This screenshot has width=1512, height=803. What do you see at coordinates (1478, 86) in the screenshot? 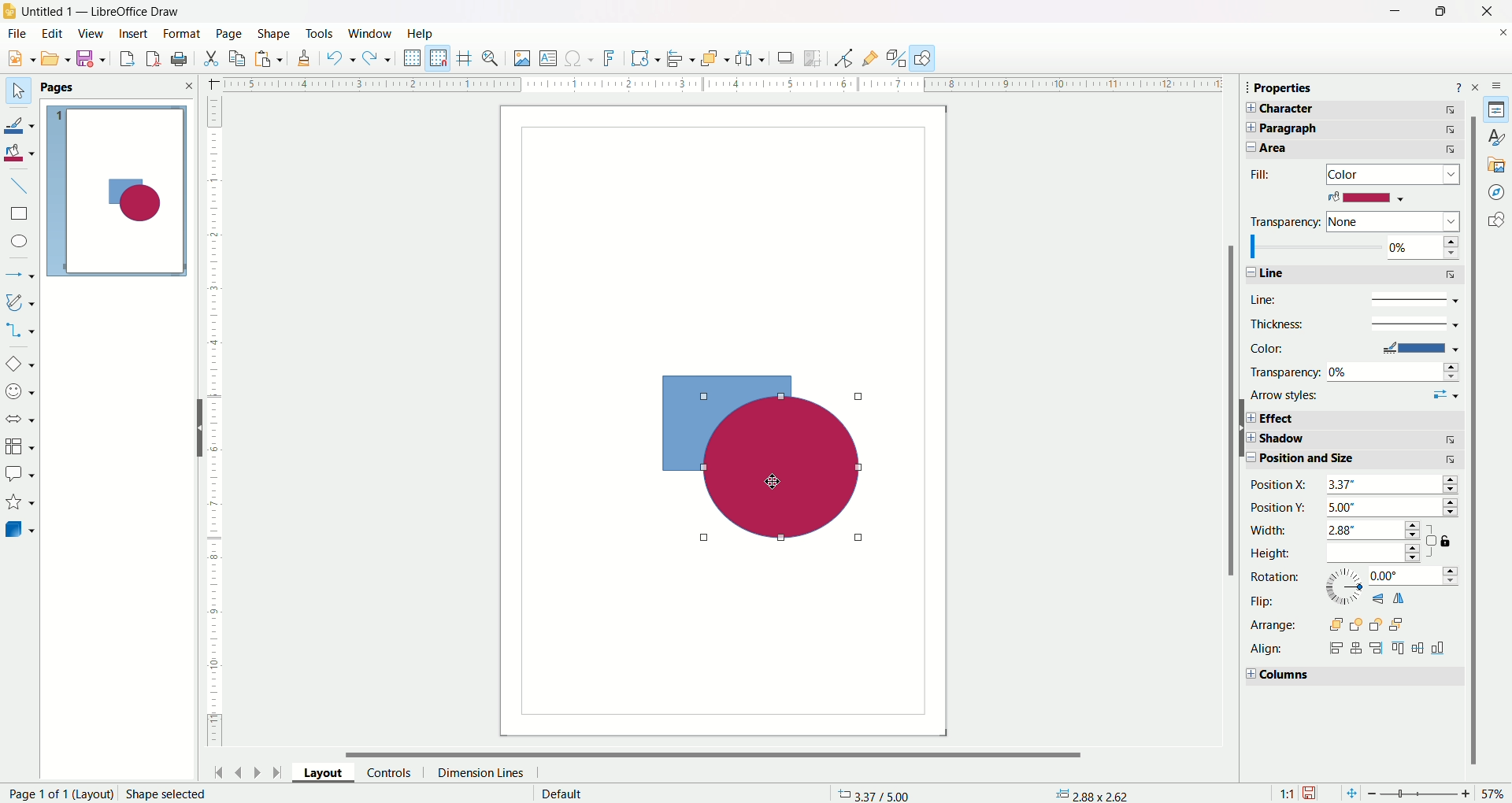
I see `close` at bounding box center [1478, 86].